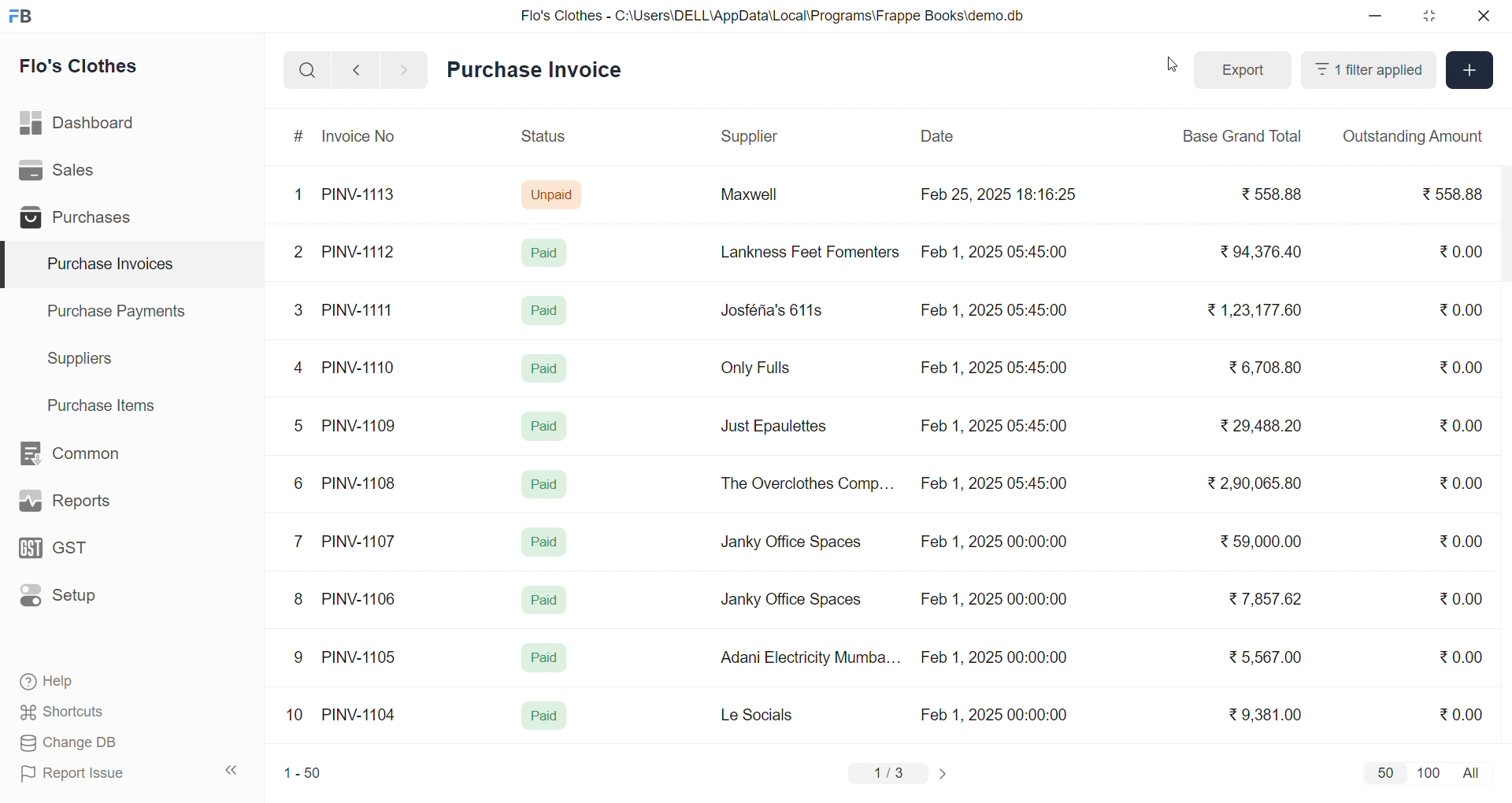 The height and width of the screenshot is (803, 1512). I want to click on resize, so click(1429, 16).